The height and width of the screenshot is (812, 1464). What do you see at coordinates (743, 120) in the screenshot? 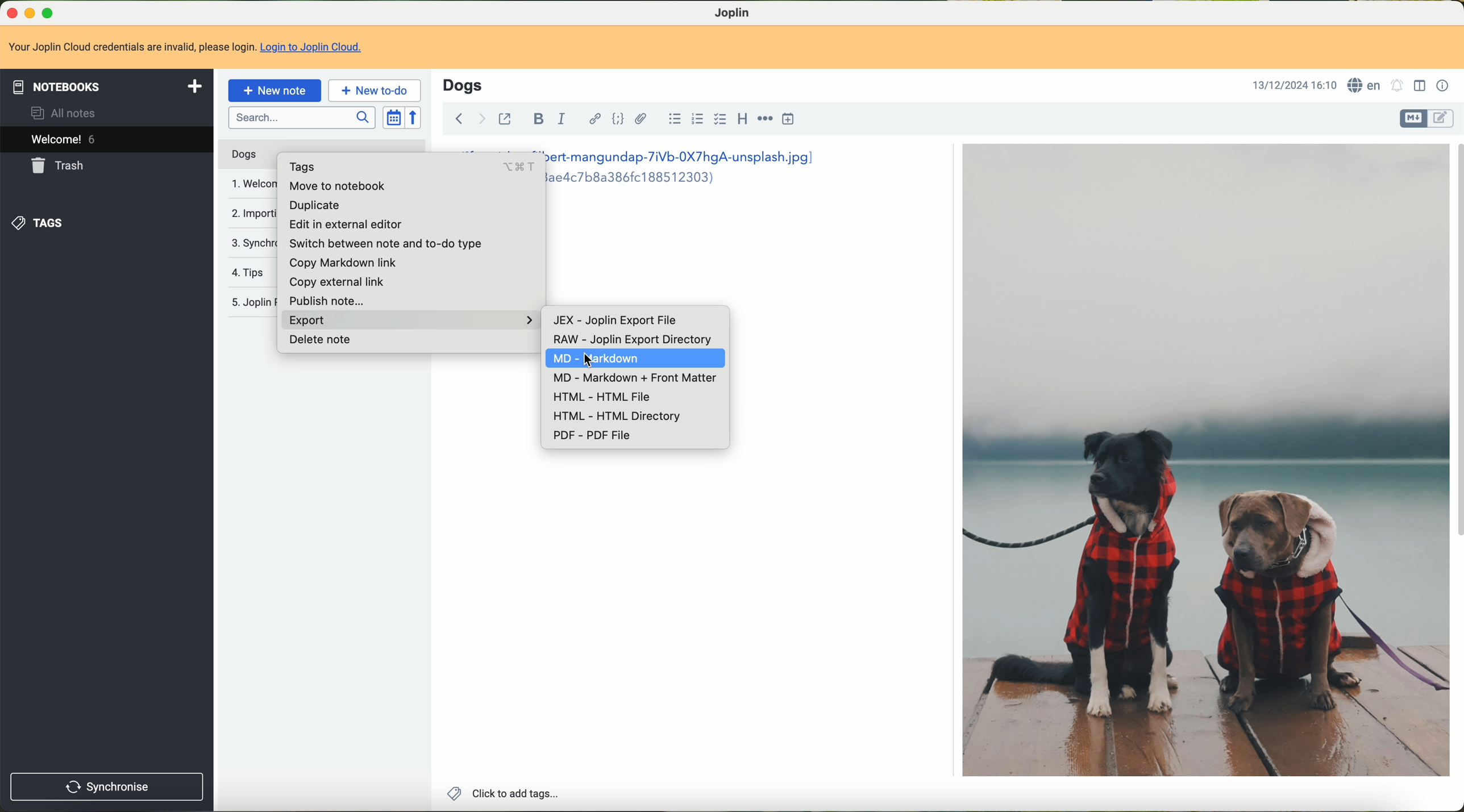
I see `heading` at bounding box center [743, 120].